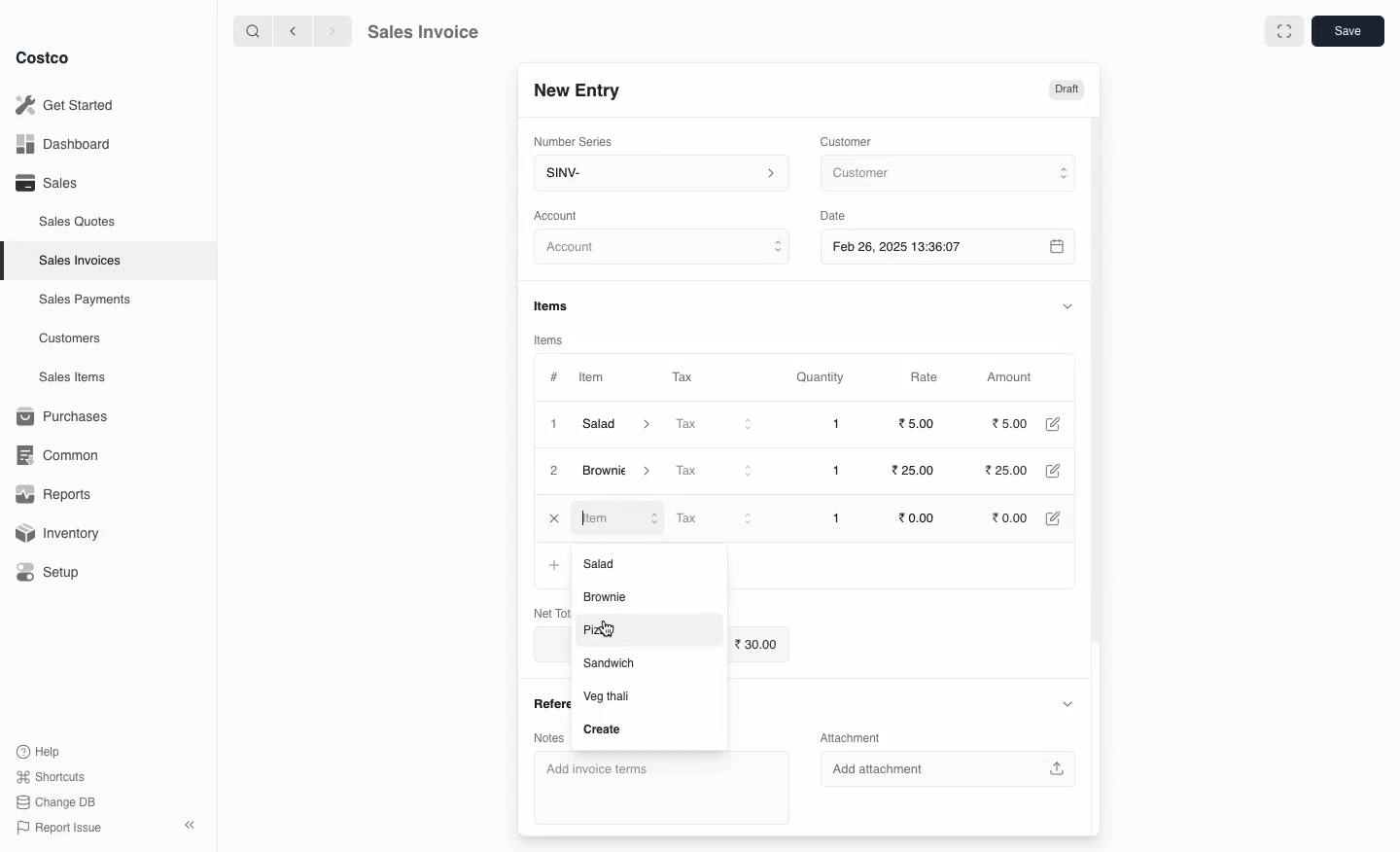 The width and height of the screenshot is (1400, 852). Describe the element at coordinates (549, 339) in the screenshot. I see `Items` at that location.